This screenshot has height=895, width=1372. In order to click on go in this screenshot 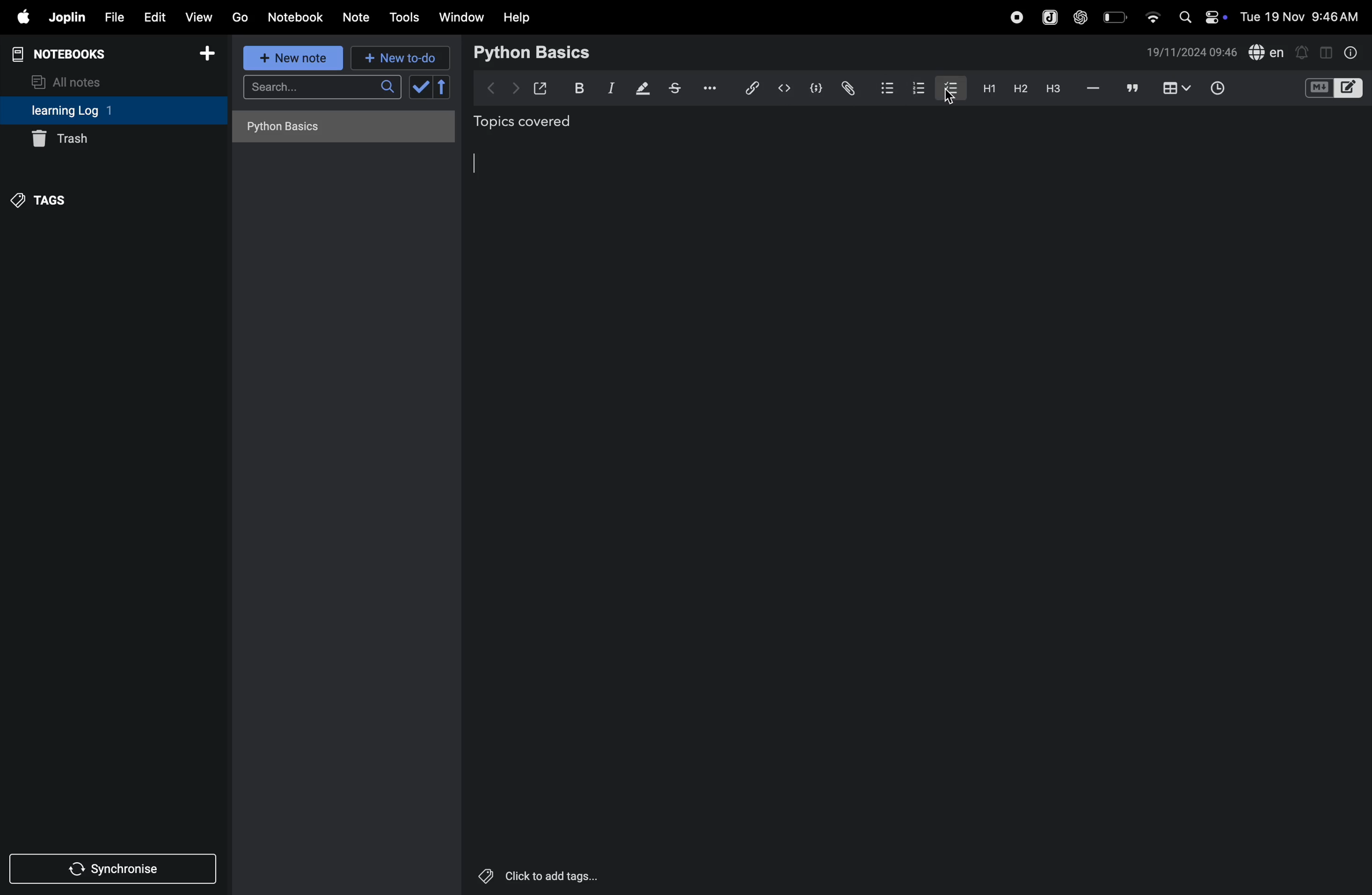, I will do `click(239, 17)`.